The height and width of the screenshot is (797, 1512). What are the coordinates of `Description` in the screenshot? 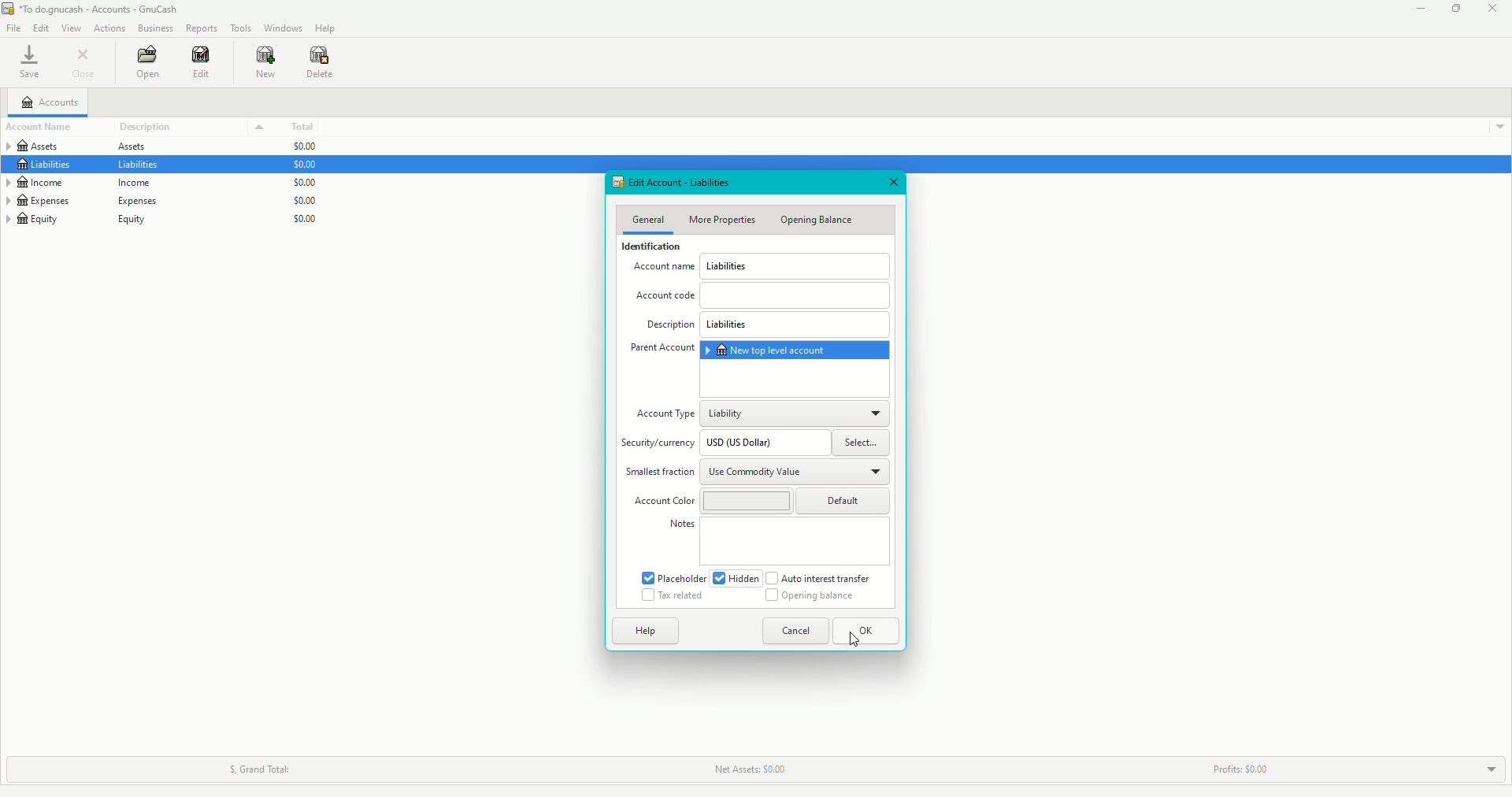 It's located at (671, 328).